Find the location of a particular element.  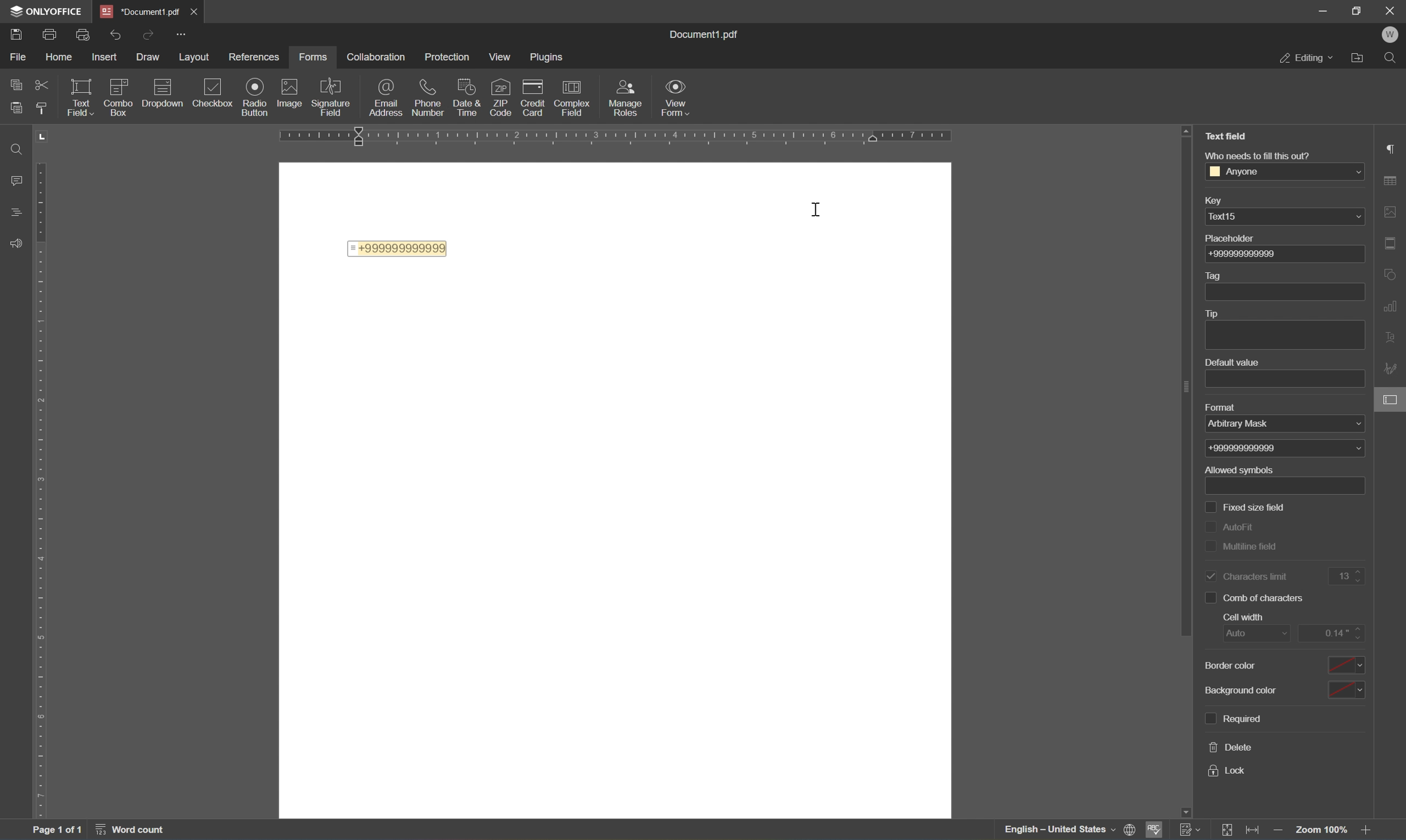

editing is located at coordinates (1306, 58).